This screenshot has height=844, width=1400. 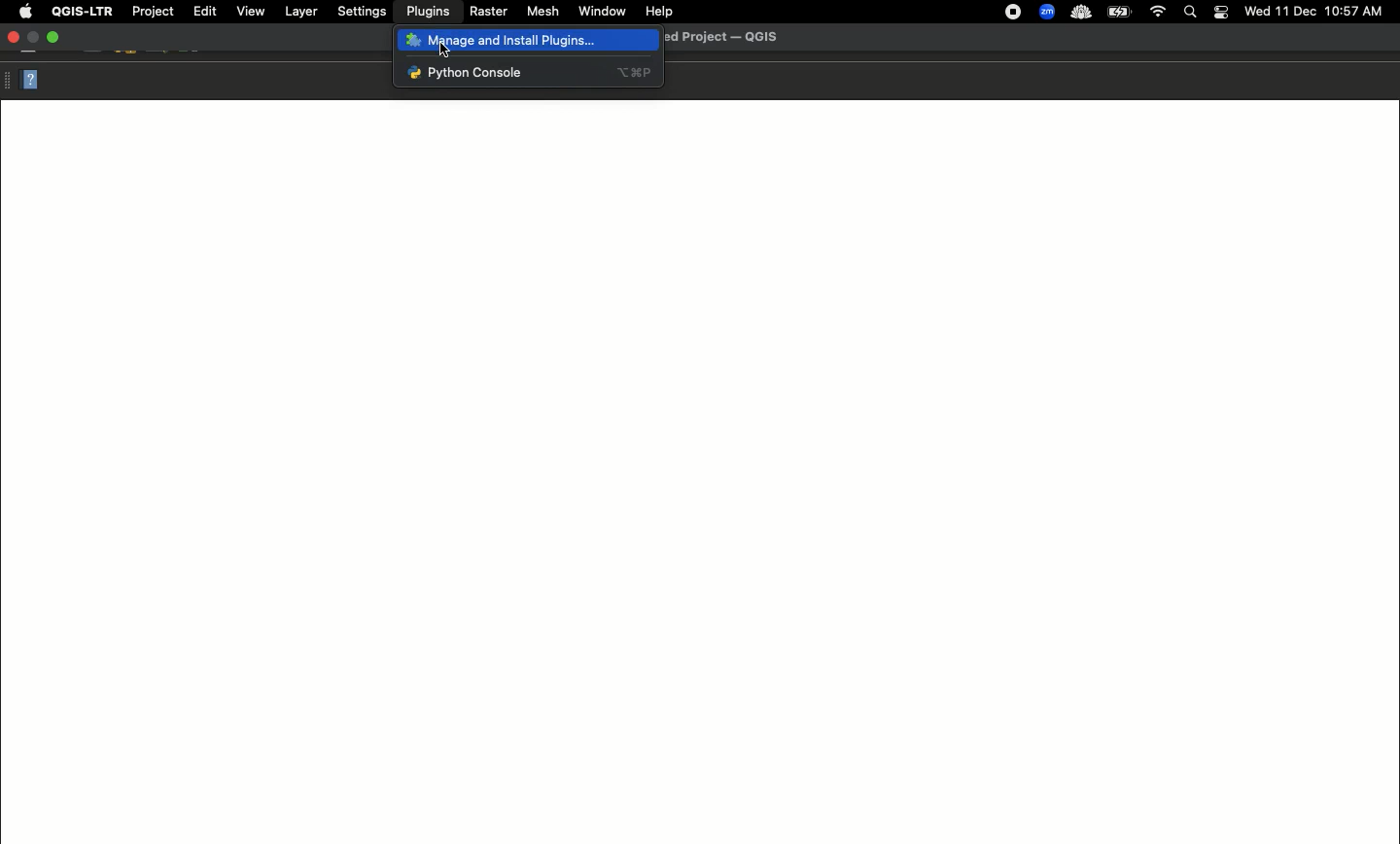 What do you see at coordinates (1049, 13) in the screenshot?
I see `Extension` at bounding box center [1049, 13].